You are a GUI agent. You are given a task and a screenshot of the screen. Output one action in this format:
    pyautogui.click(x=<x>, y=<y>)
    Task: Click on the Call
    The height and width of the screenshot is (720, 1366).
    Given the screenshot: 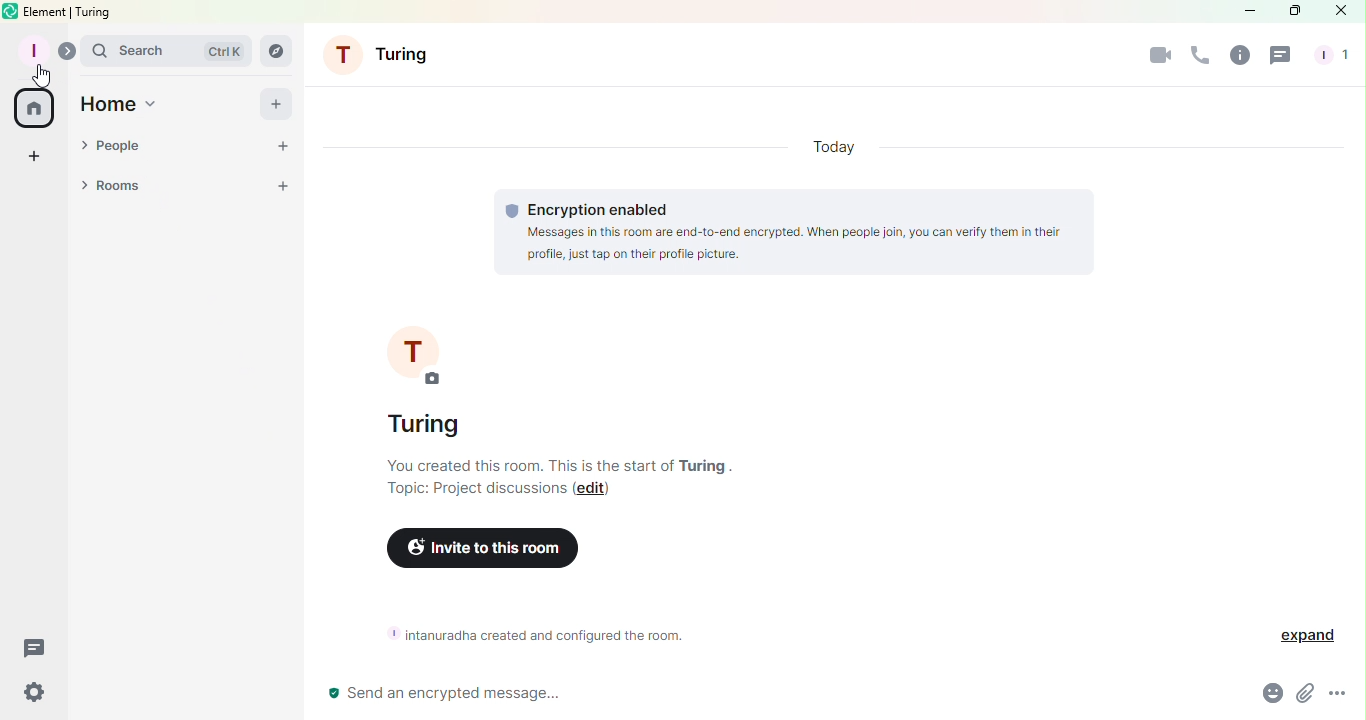 What is the action you would take?
    pyautogui.click(x=1194, y=55)
    